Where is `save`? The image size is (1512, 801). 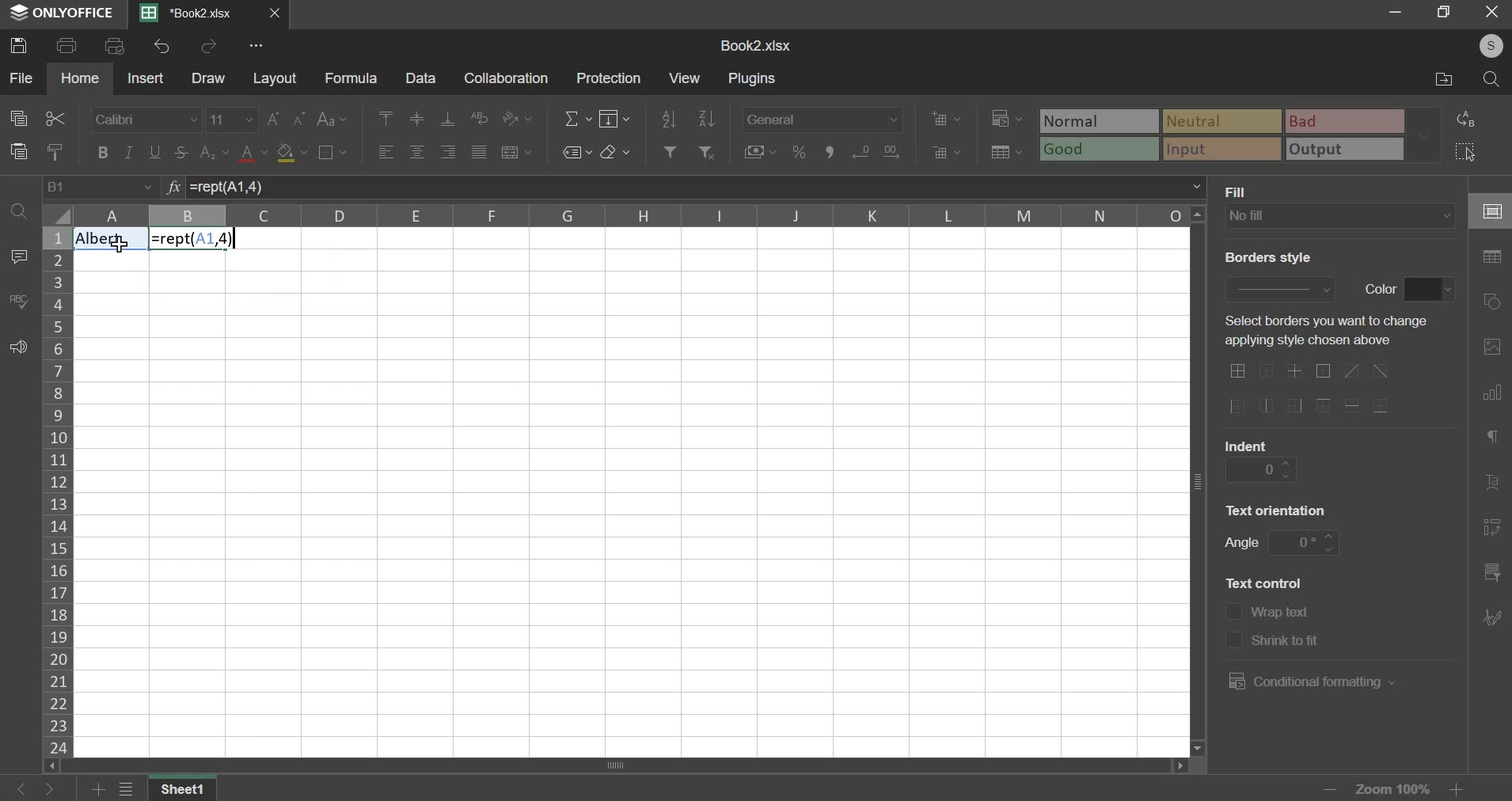
save is located at coordinates (18, 45).